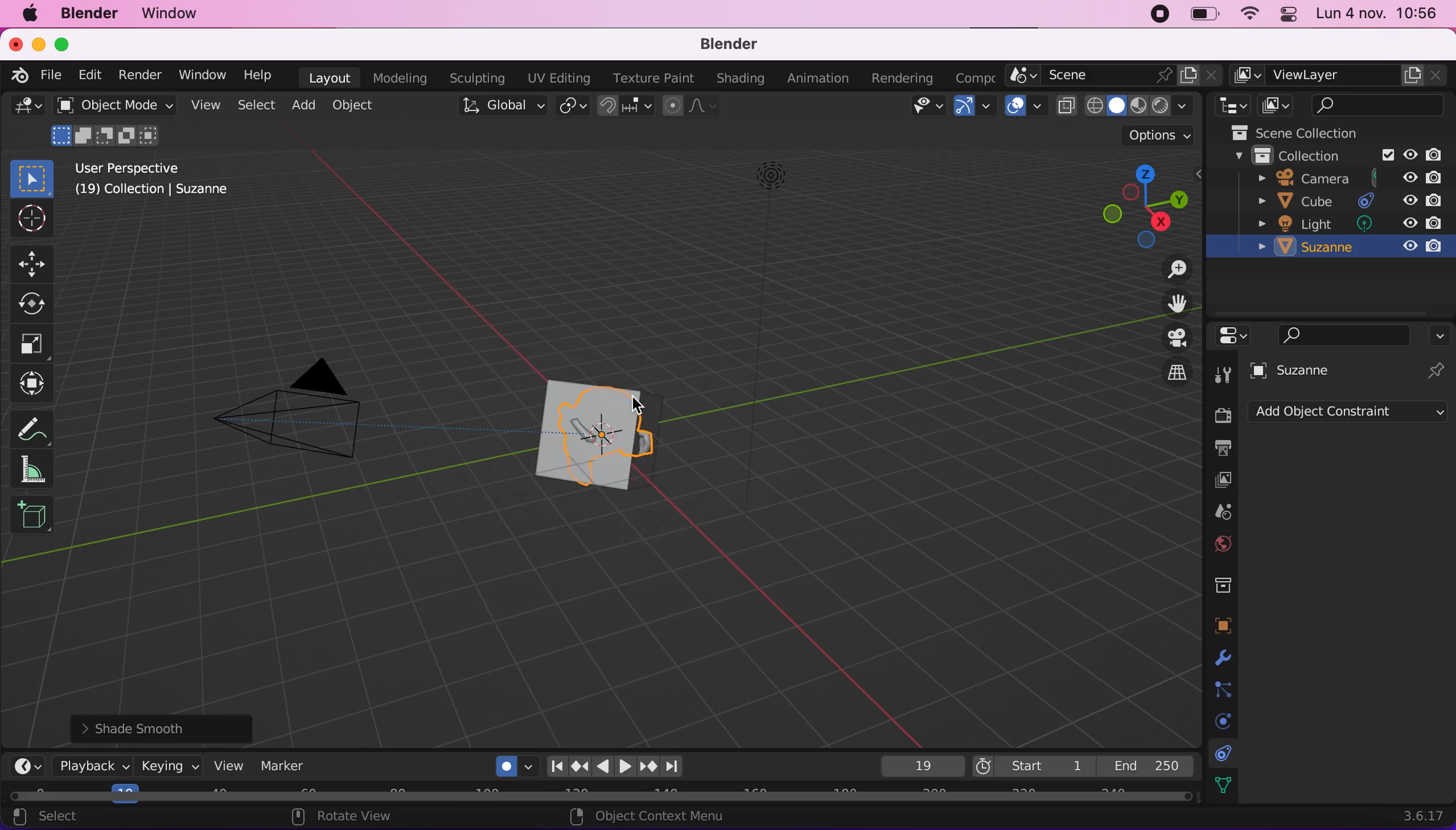 The height and width of the screenshot is (830, 1456). Describe the element at coordinates (32, 428) in the screenshot. I see `annotate` at that location.